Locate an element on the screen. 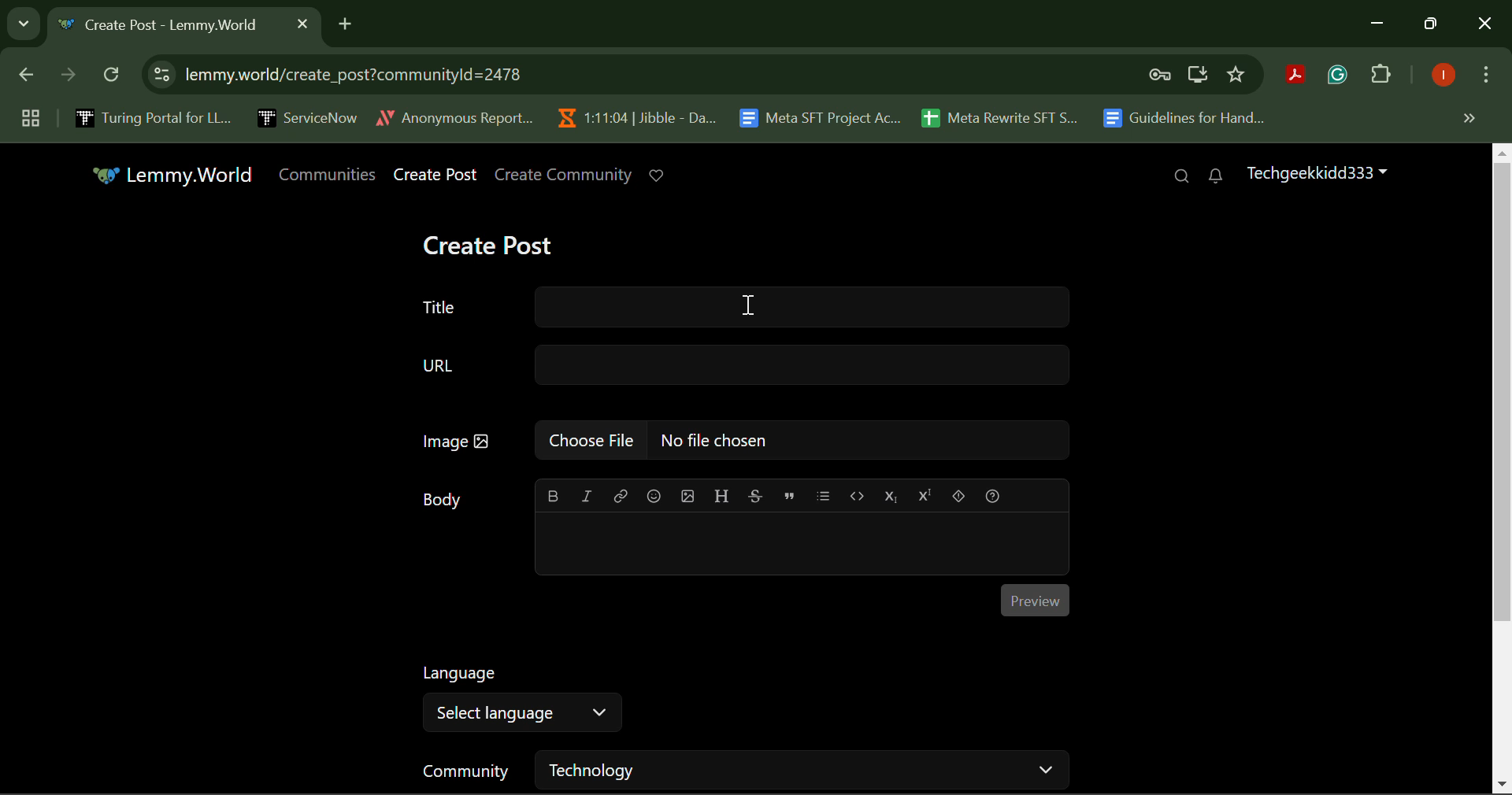 This screenshot has width=1512, height=795. Cursor on Title Text Box is located at coordinates (748, 305).